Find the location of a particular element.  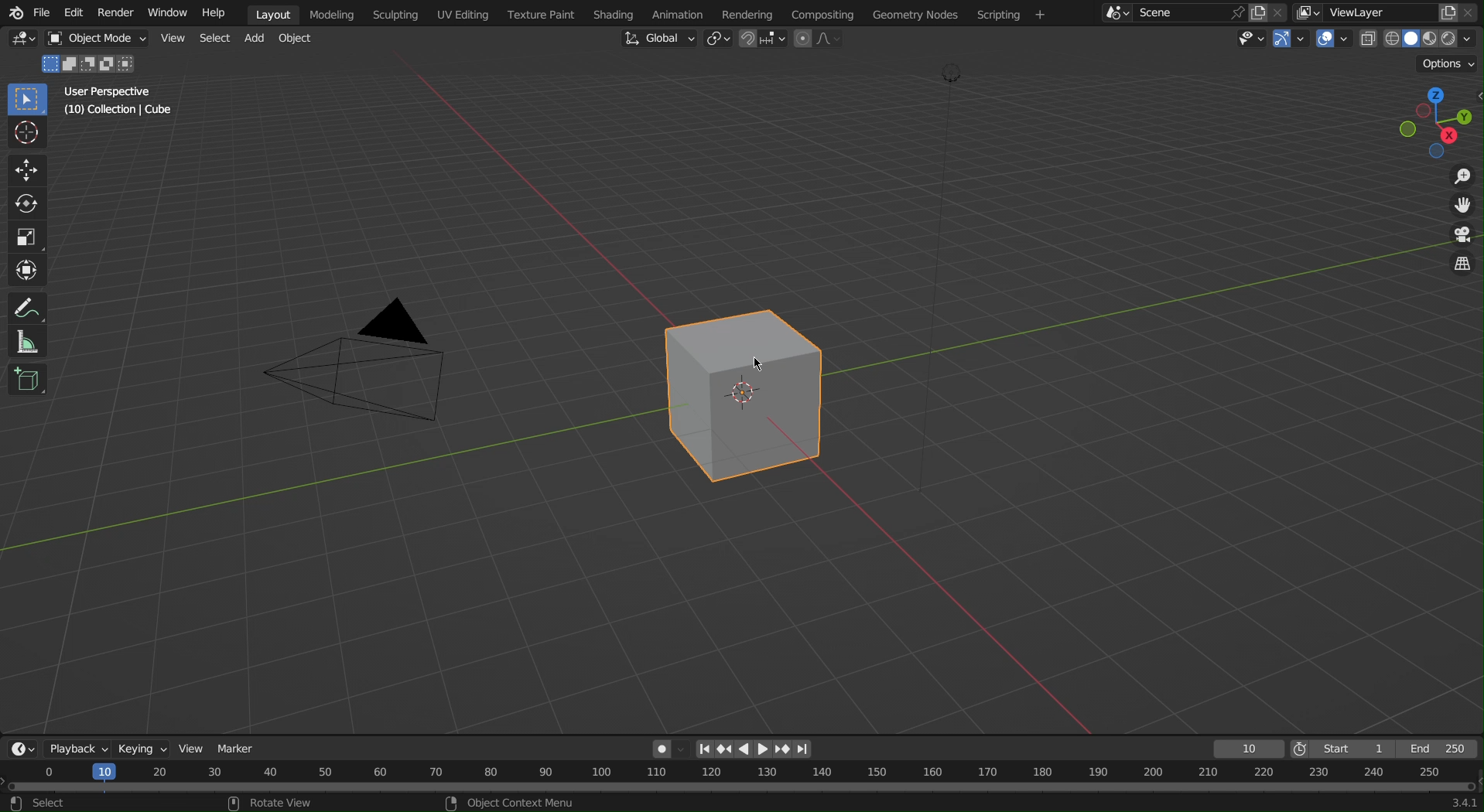

More Scene is located at coordinates (1115, 12).